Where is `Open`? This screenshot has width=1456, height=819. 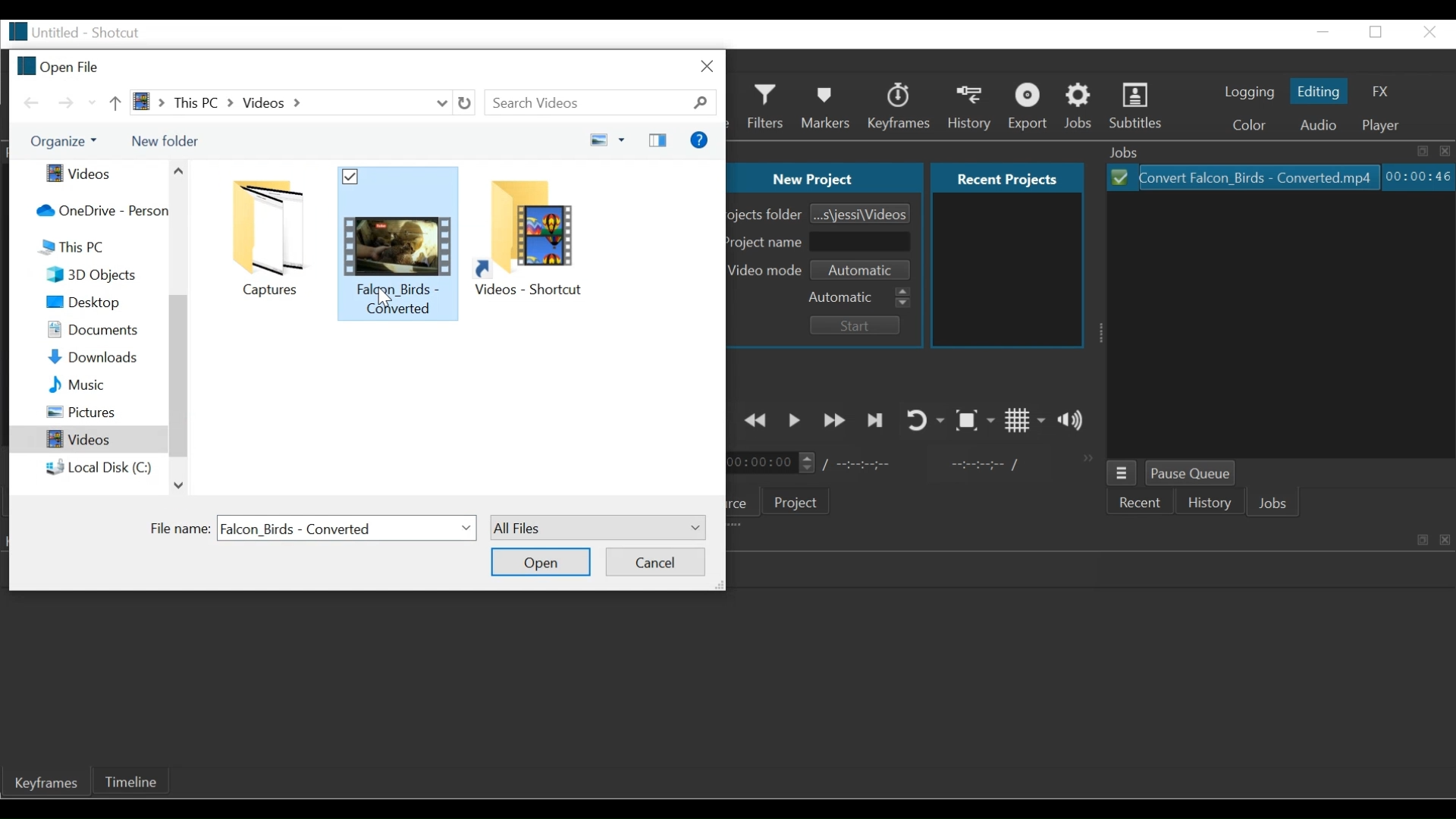 Open is located at coordinates (541, 561).